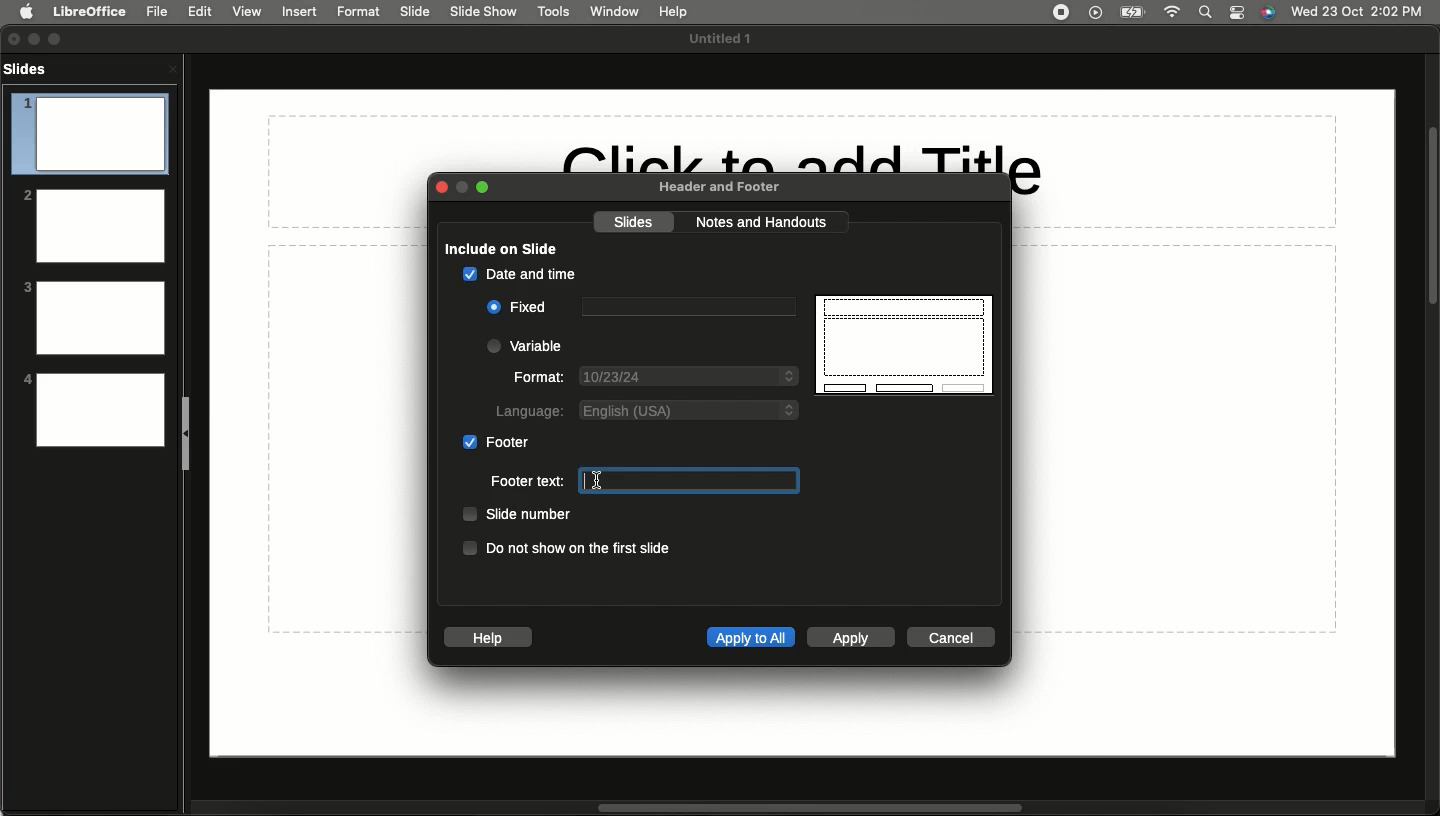 The height and width of the screenshot is (816, 1440). Describe the element at coordinates (690, 409) in the screenshot. I see `English` at that location.